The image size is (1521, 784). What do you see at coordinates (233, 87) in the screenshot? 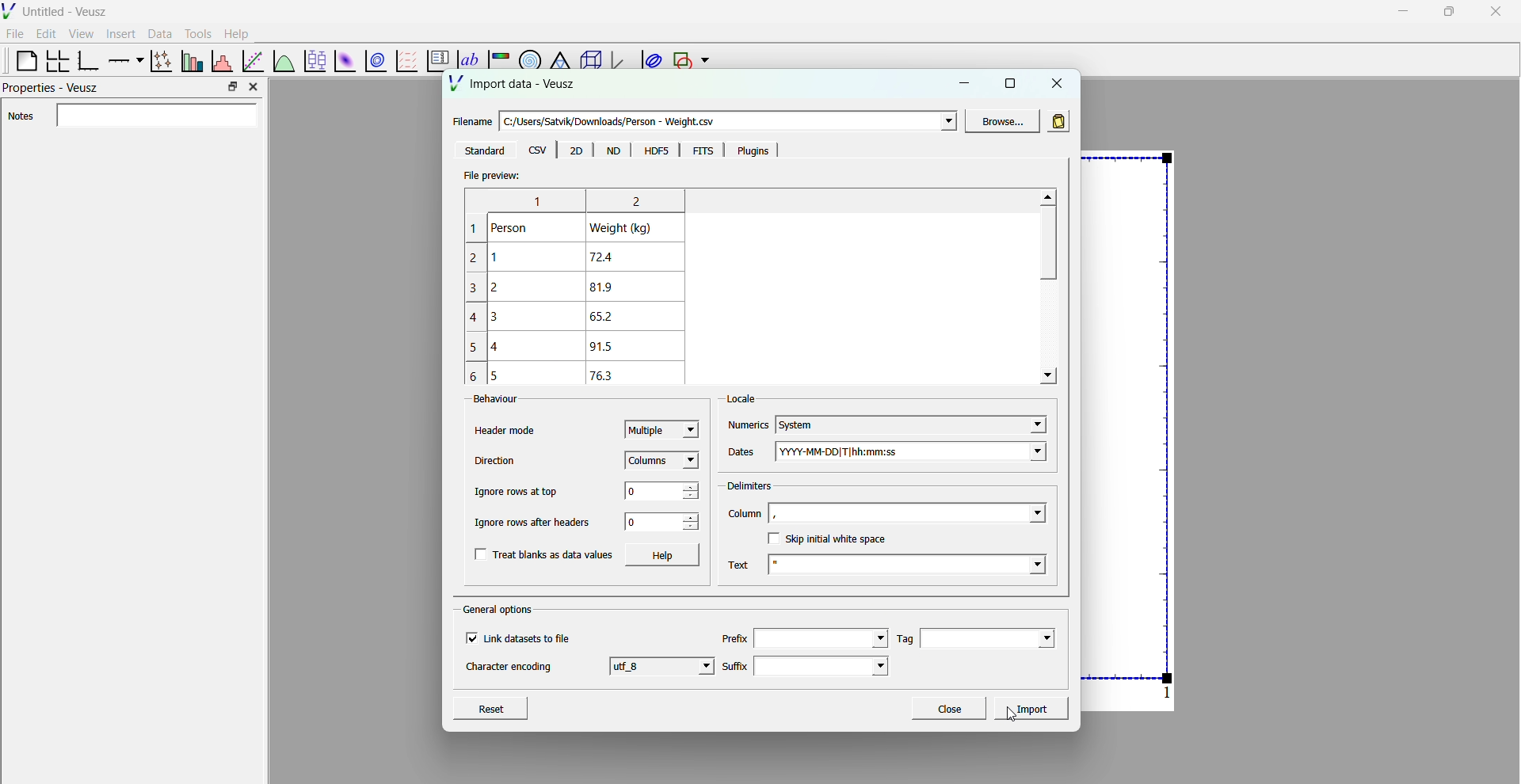
I see `maximize property bar` at bounding box center [233, 87].